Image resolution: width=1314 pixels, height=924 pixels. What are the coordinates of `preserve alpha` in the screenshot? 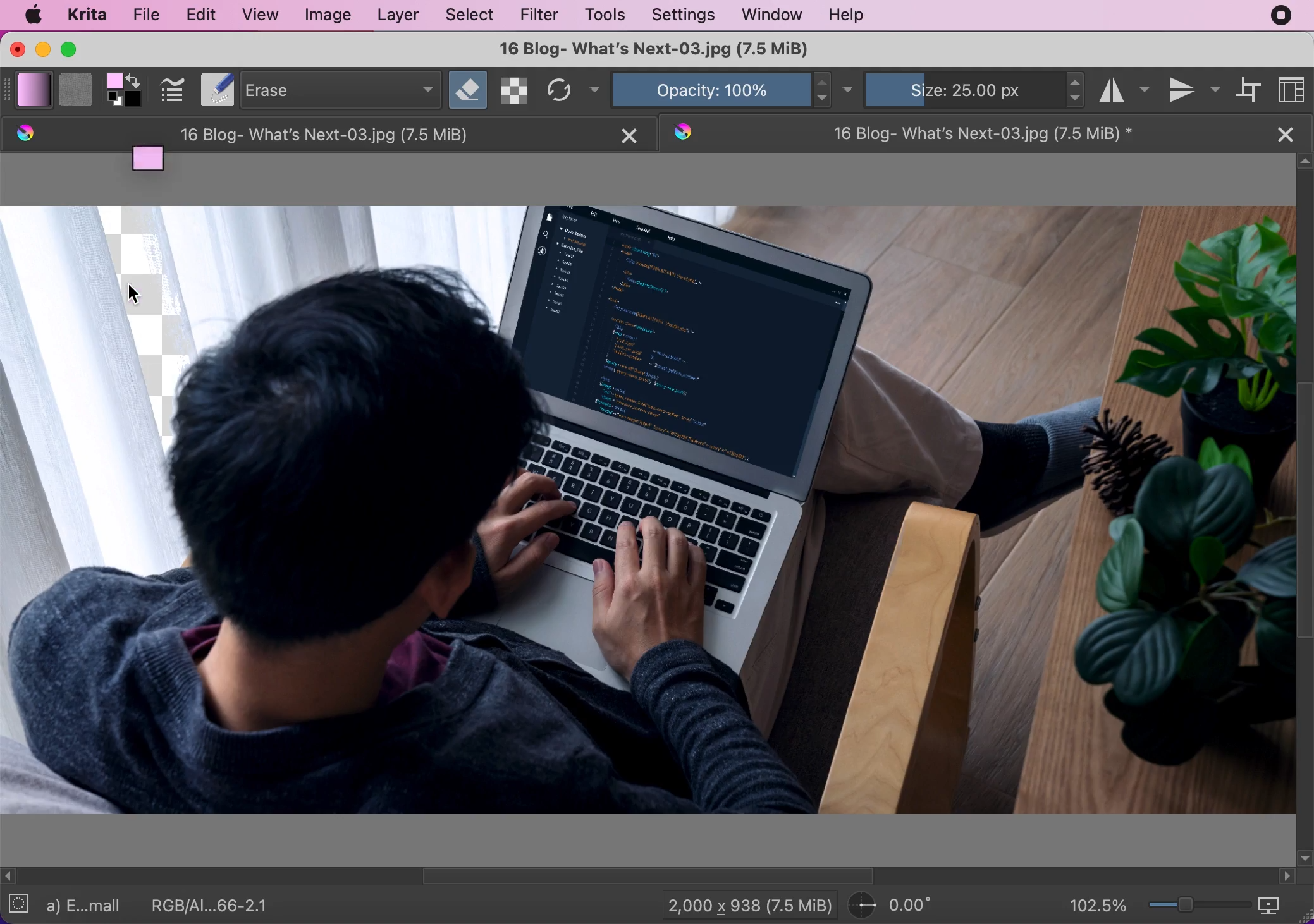 It's located at (512, 90).